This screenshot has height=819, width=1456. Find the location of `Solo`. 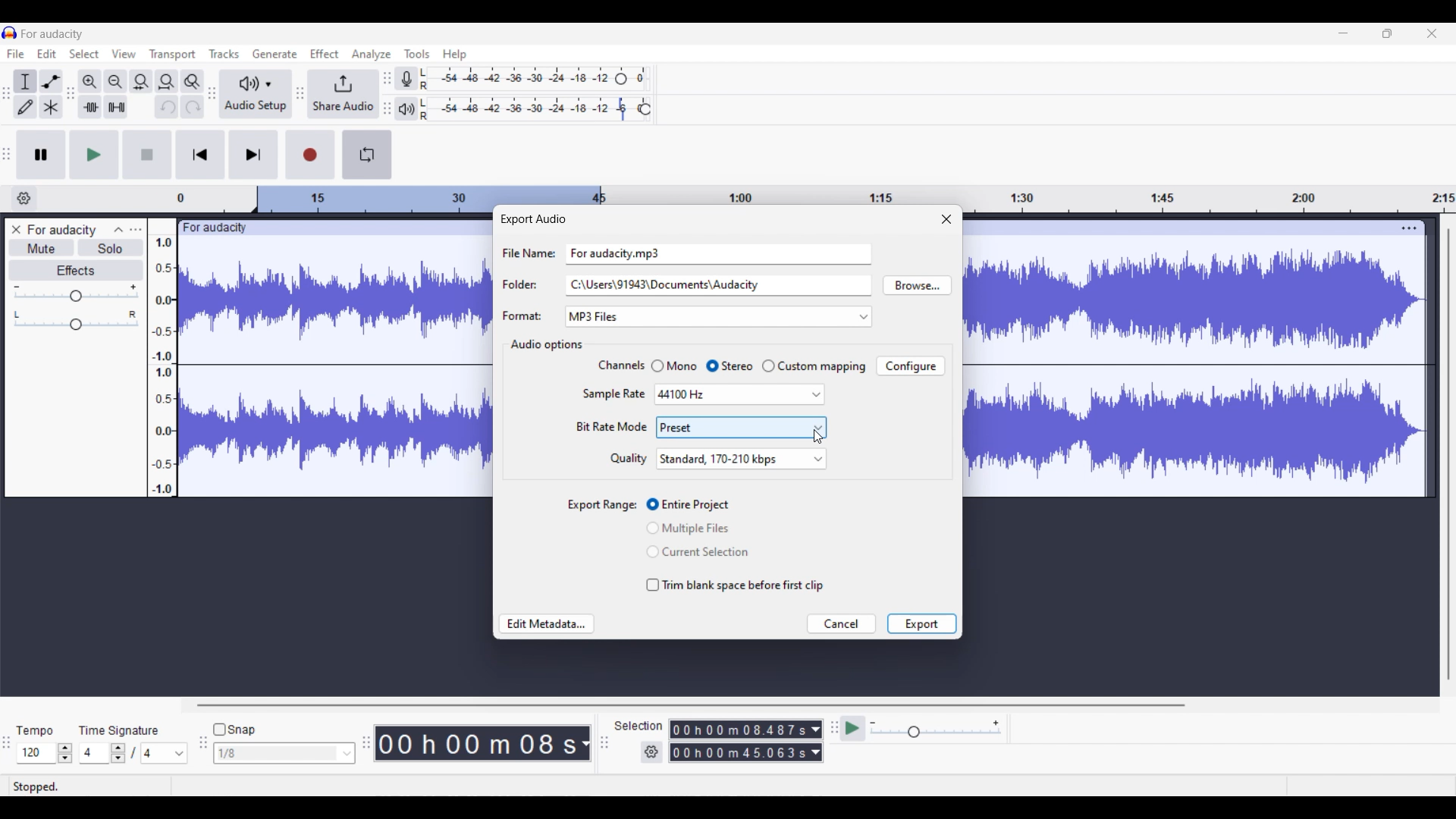

Solo is located at coordinates (111, 247).